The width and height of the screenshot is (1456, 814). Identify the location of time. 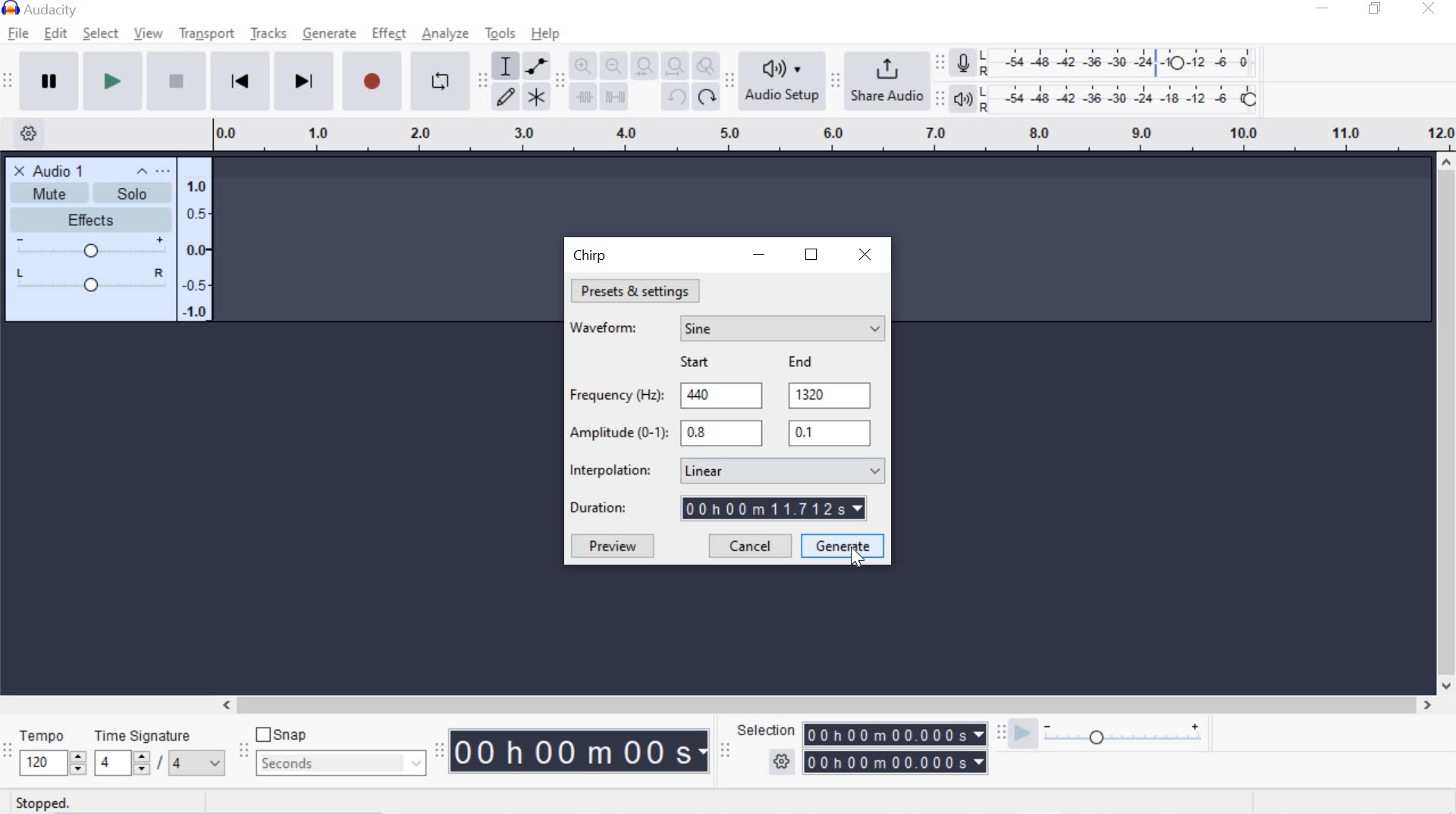
(581, 751).